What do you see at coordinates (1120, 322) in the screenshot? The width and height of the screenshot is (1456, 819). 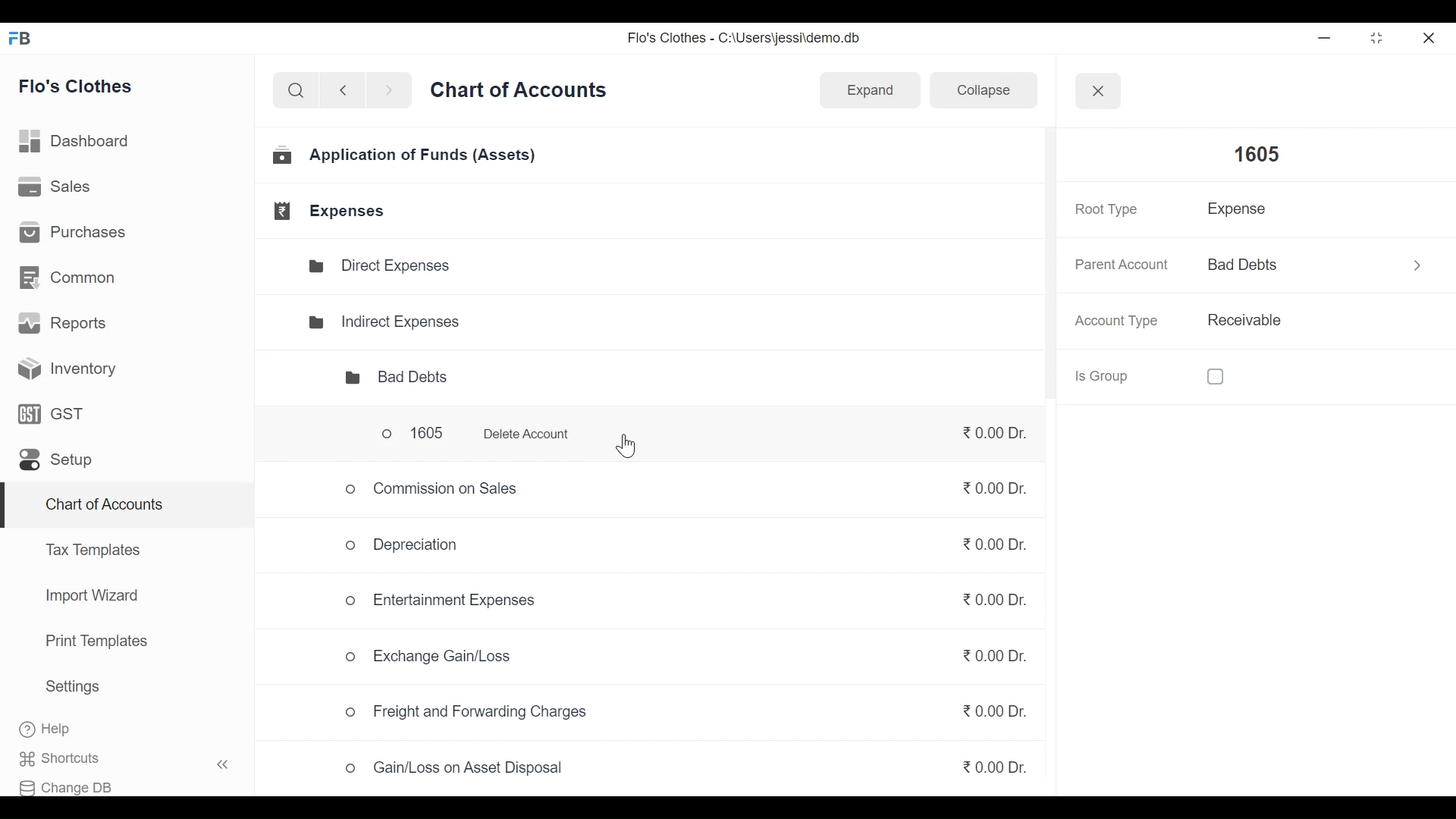 I see `Account Type` at bounding box center [1120, 322].